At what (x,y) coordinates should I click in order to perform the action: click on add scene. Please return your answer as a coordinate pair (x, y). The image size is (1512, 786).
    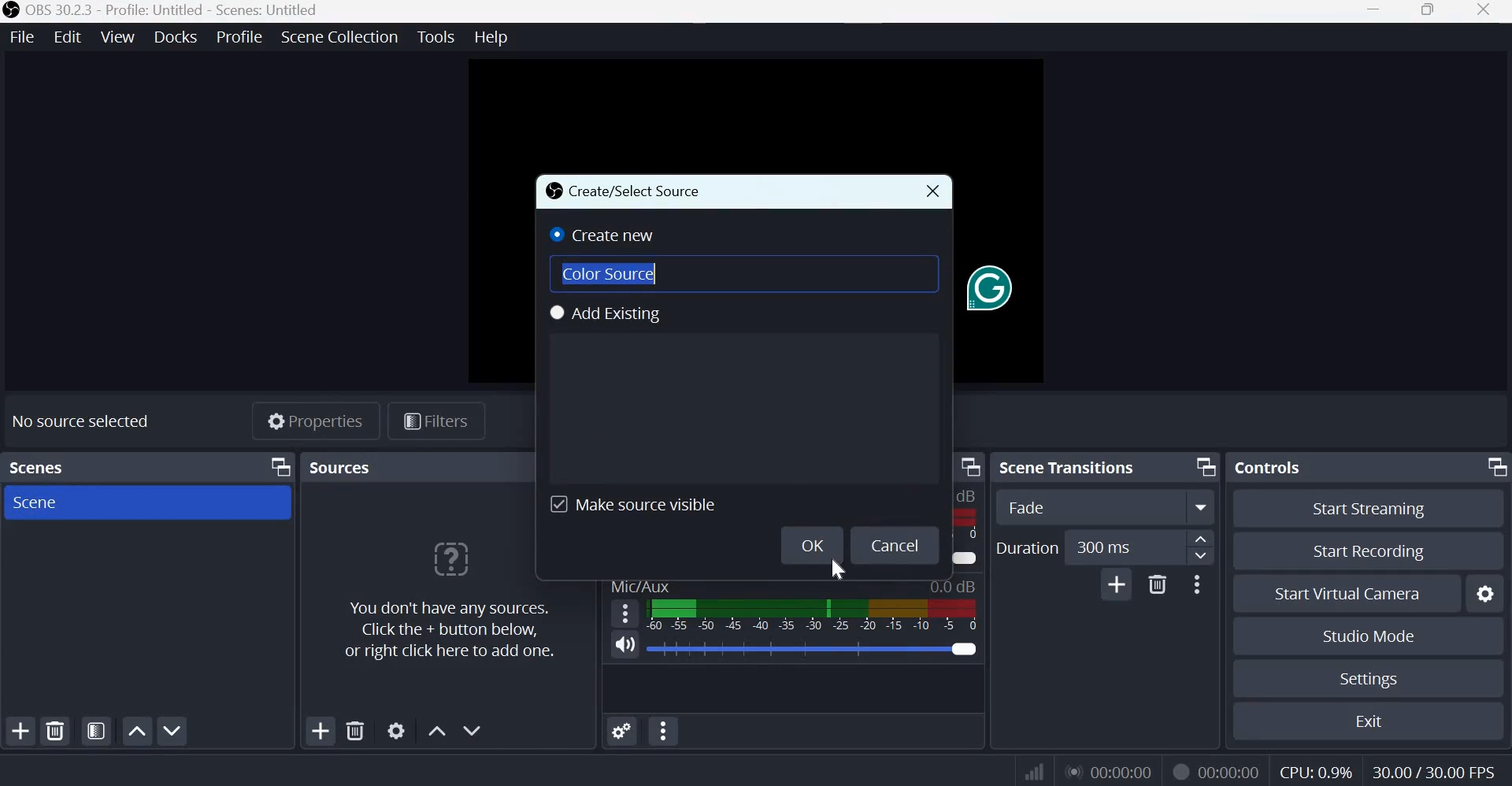
    Looking at the image, I should click on (20, 731).